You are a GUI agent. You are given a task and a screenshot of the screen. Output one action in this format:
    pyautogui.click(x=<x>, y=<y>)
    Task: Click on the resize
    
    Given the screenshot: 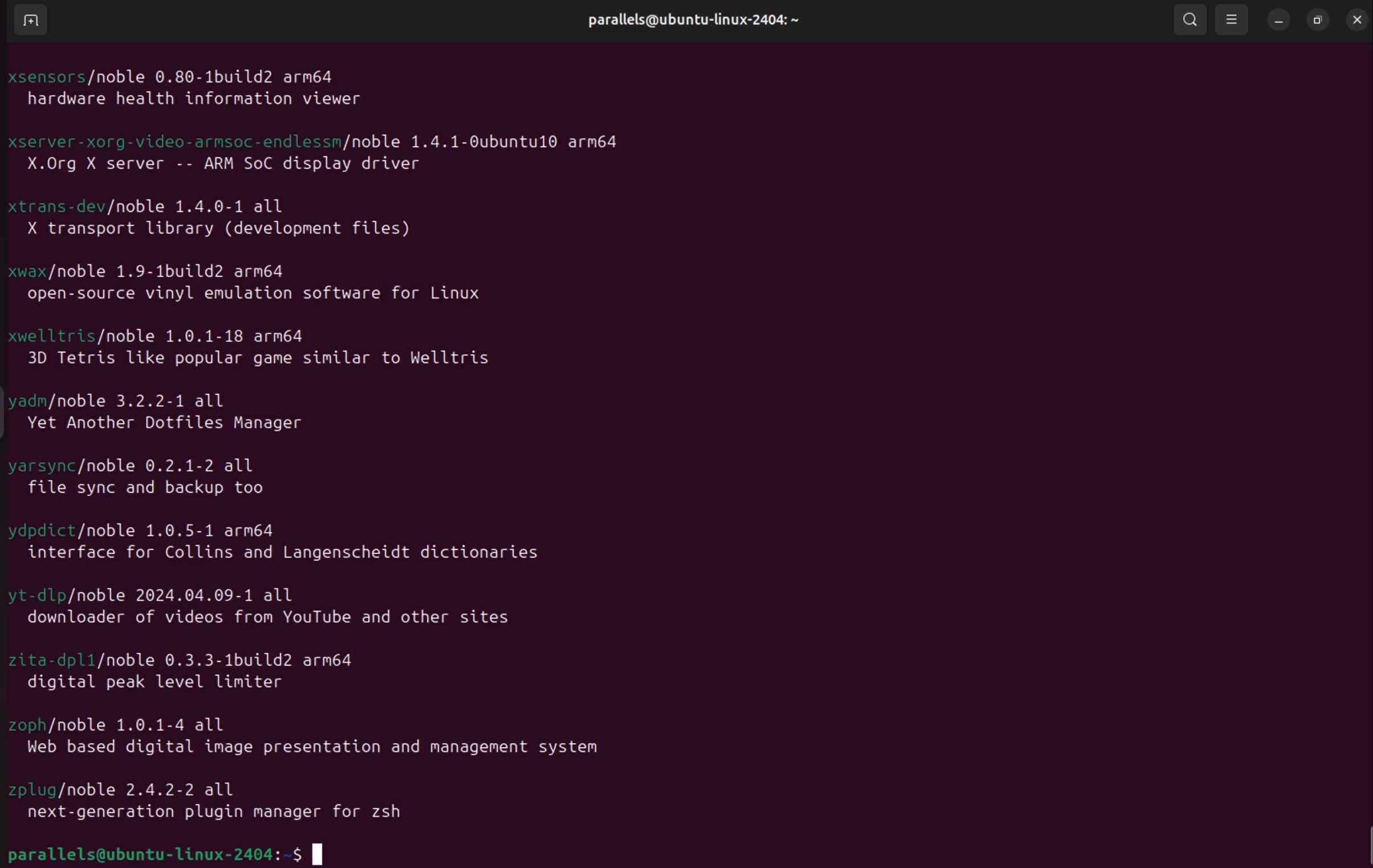 What is the action you would take?
    pyautogui.click(x=1318, y=20)
    